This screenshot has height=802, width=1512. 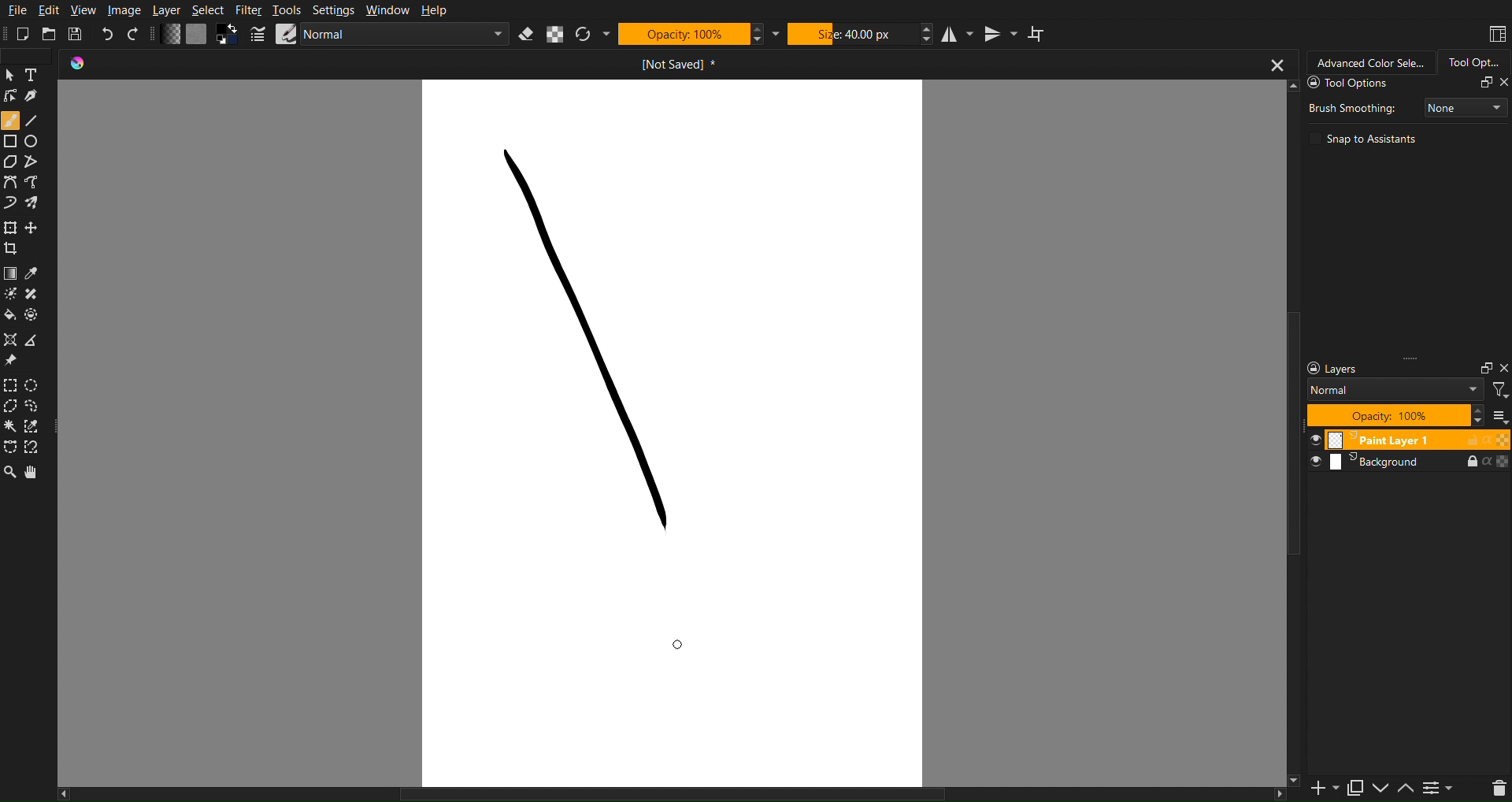 I want to click on Close, so click(x=1503, y=368).